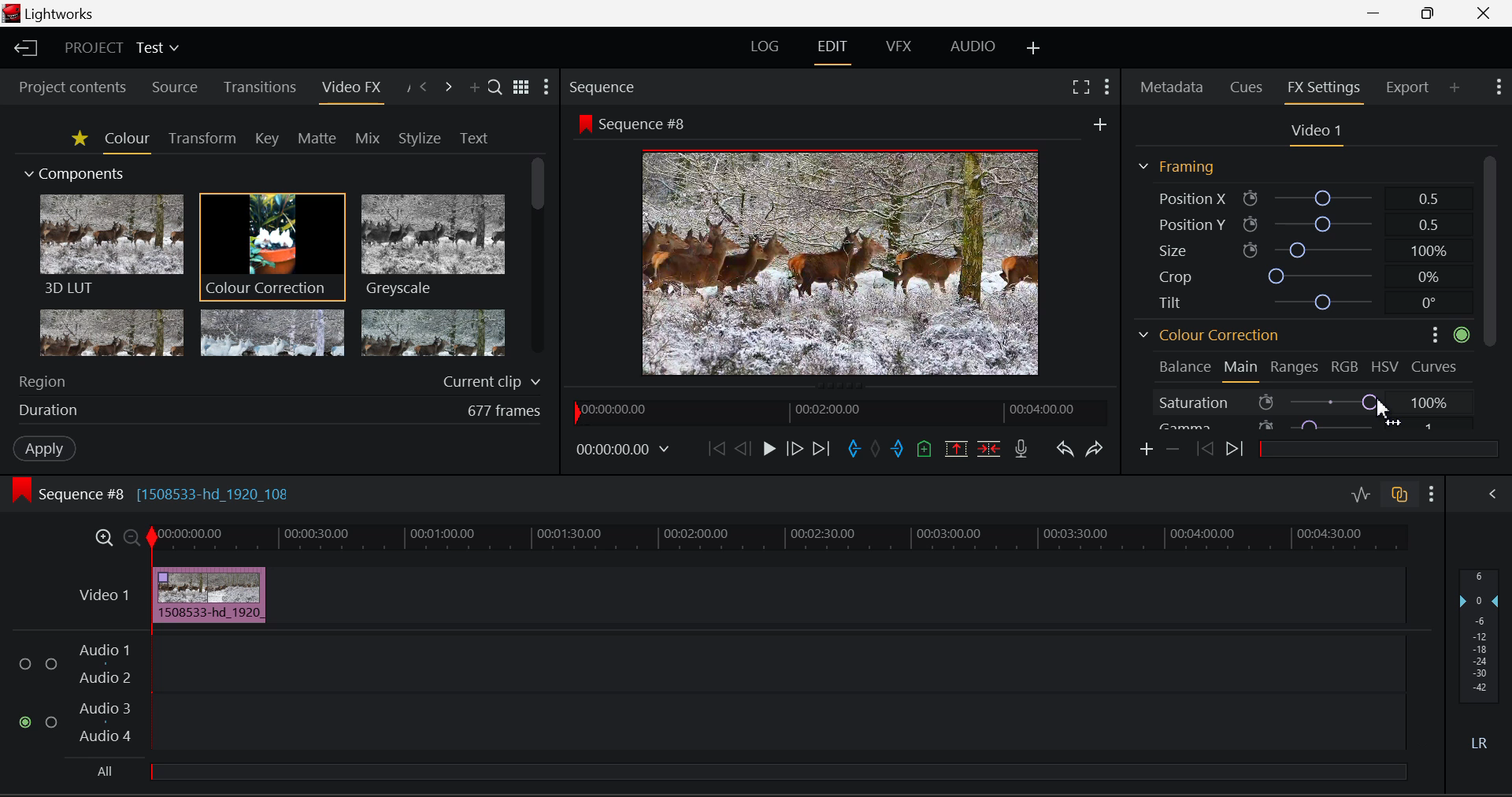  Describe the element at coordinates (1360, 498) in the screenshot. I see `Toggle Audio Levels Editing` at that location.